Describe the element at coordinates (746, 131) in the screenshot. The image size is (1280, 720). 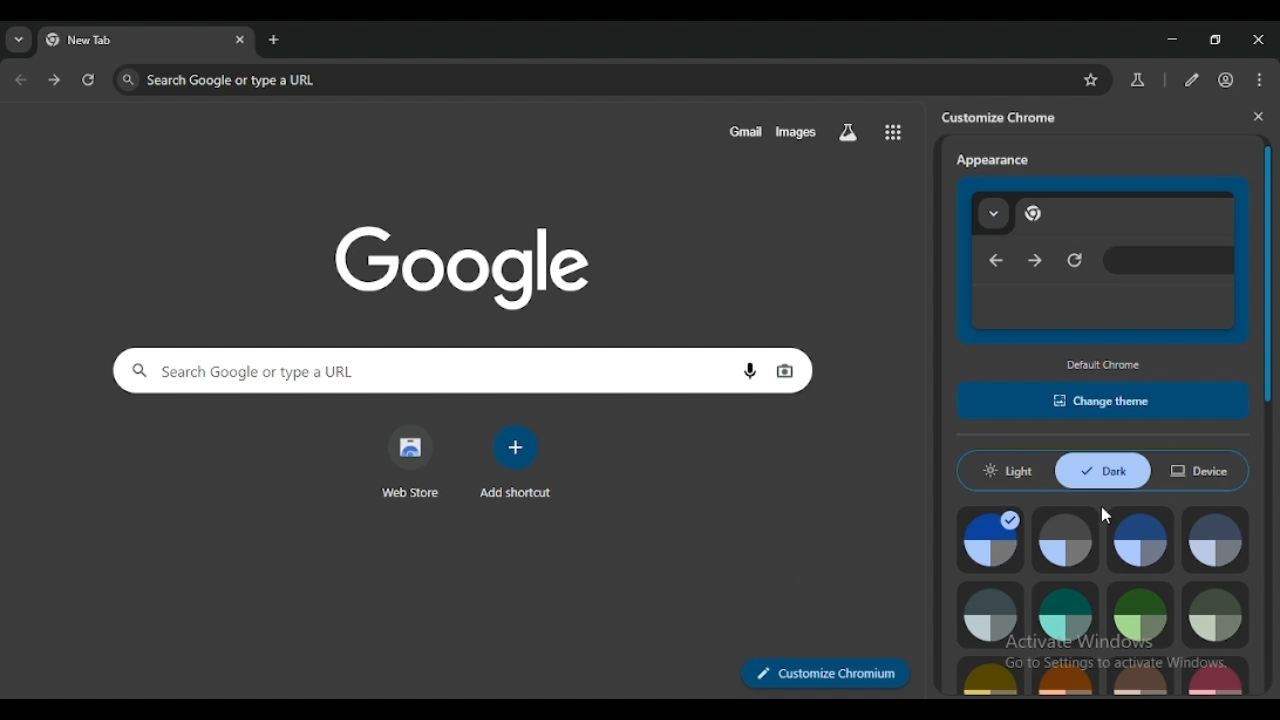
I see `gmail` at that location.